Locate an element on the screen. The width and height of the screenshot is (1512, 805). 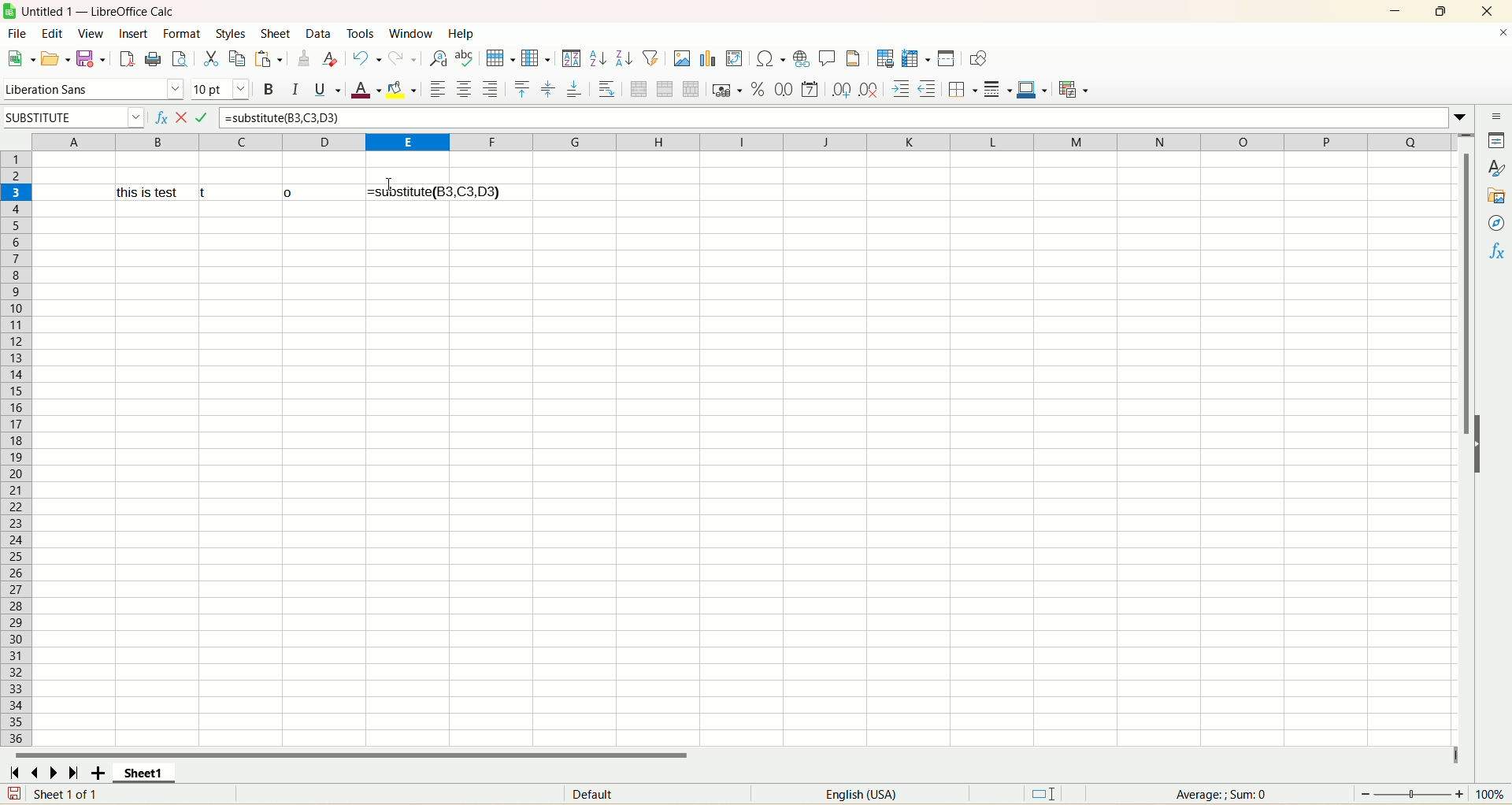
default is located at coordinates (608, 792).